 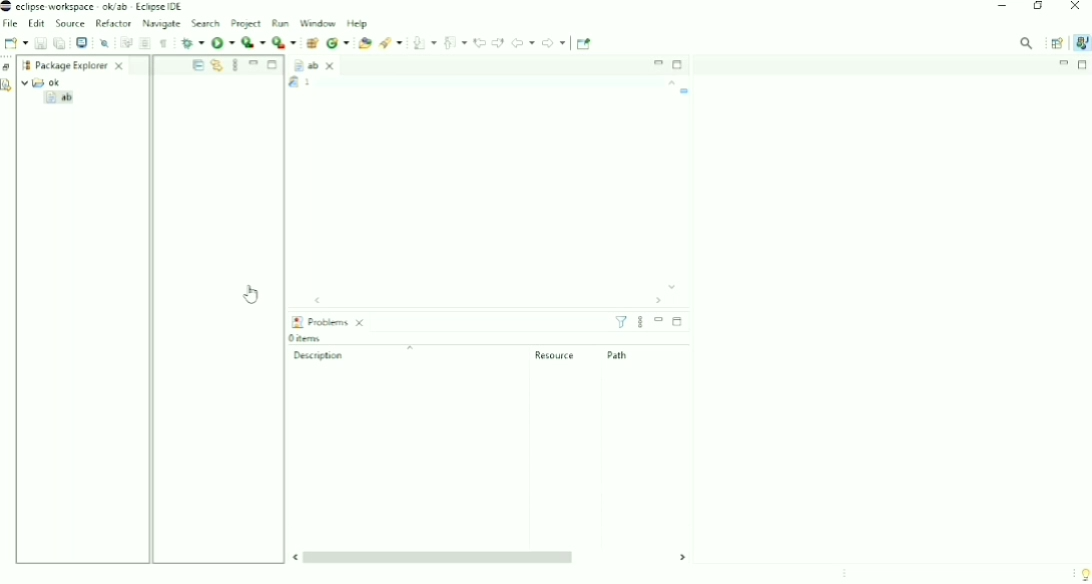 What do you see at coordinates (390, 42) in the screenshot?
I see `Search` at bounding box center [390, 42].